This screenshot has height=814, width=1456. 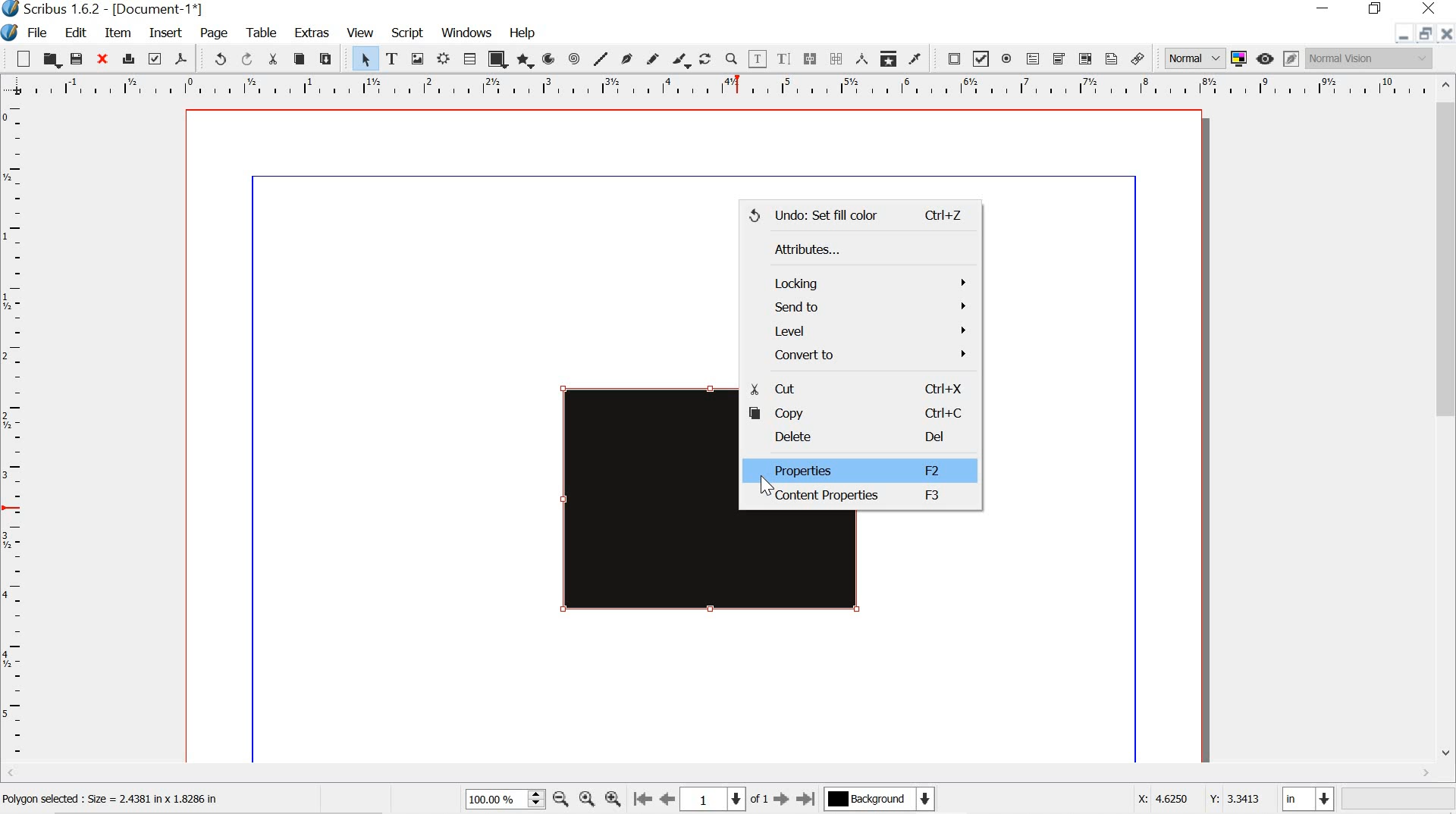 What do you see at coordinates (758, 59) in the screenshot?
I see `edit contents of frame` at bounding box center [758, 59].